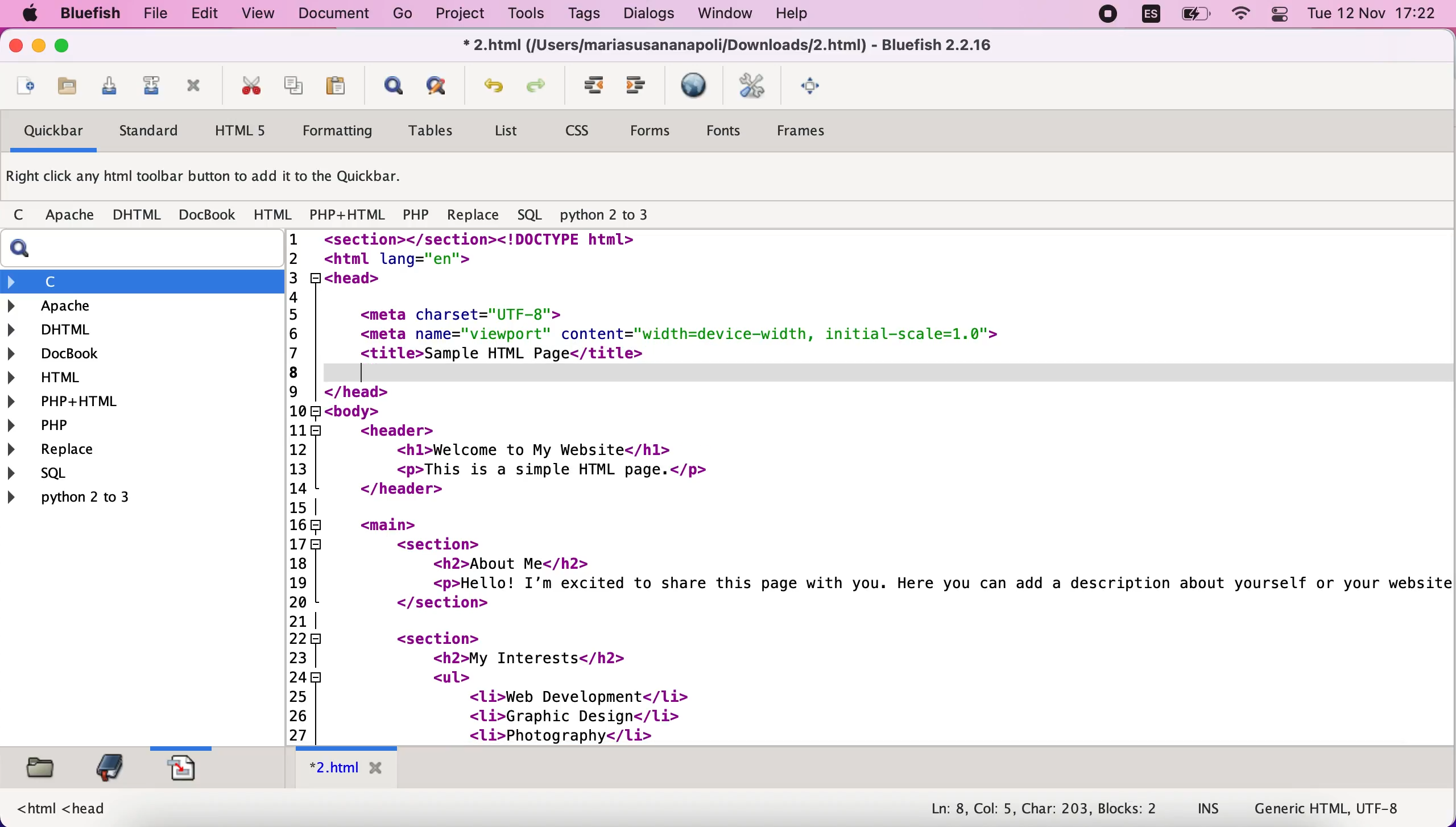 The image size is (1456, 827). What do you see at coordinates (96, 15) in the screenshot?
I see `bluefish` at bounding box center [96, 15].